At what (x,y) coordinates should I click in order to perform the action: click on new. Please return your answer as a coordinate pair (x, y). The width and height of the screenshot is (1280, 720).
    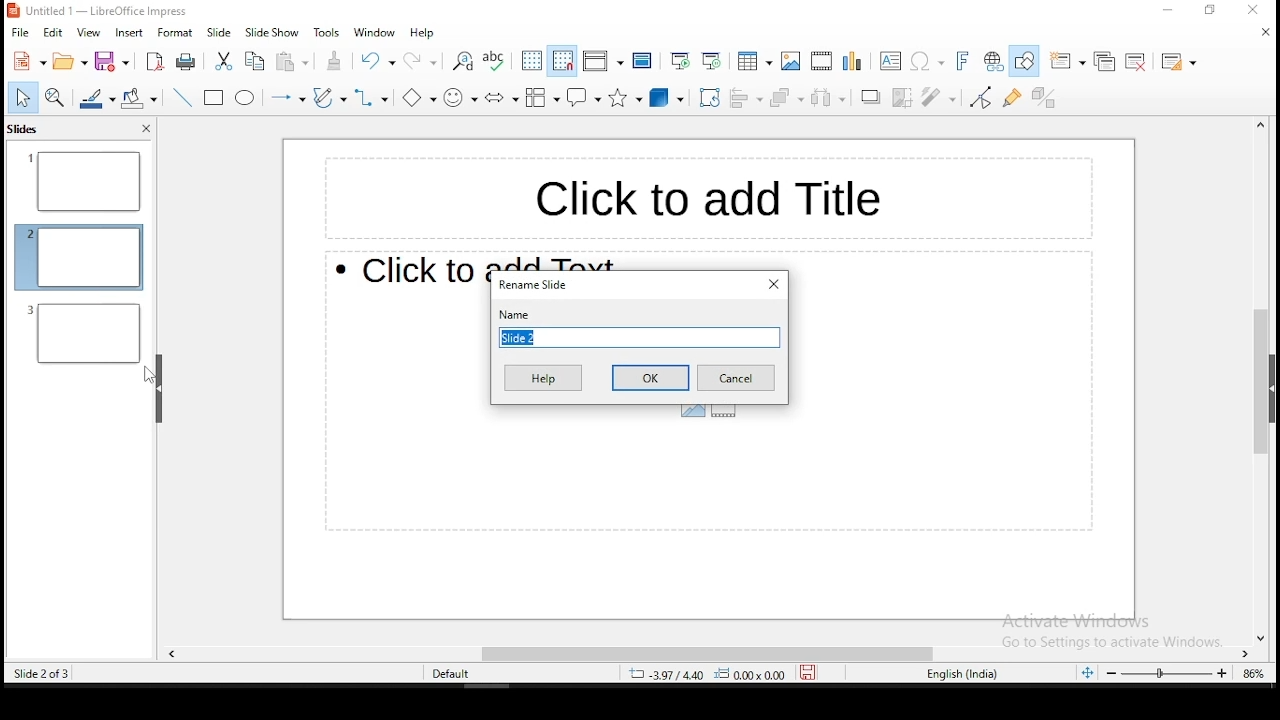
    Looking at the image, I should click on (28, 60).